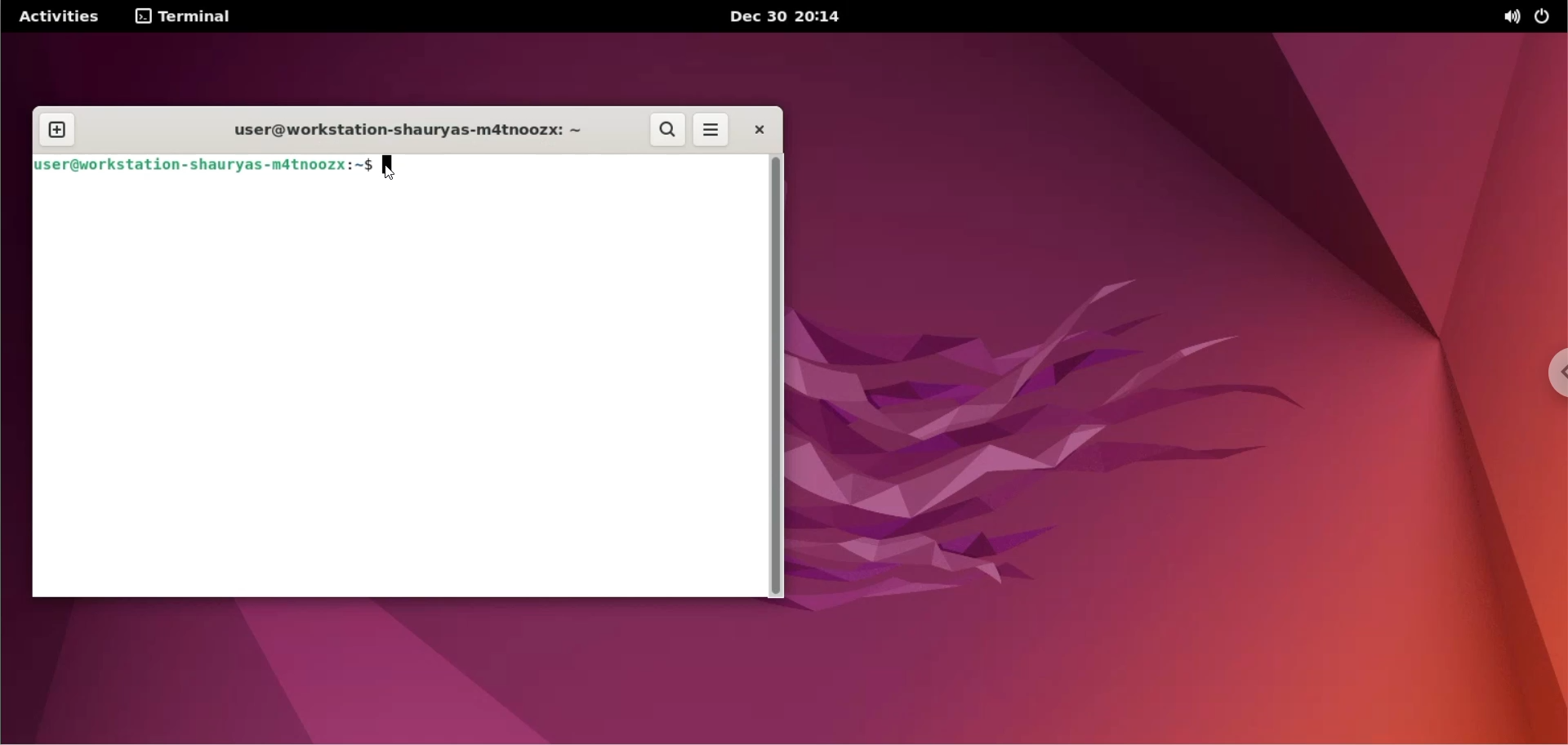 This screenshot has width=1568, height=745. What do you see at coordinates (390, 167) in the screenshot?
I see `cursor` at bounding box center [390, 167].